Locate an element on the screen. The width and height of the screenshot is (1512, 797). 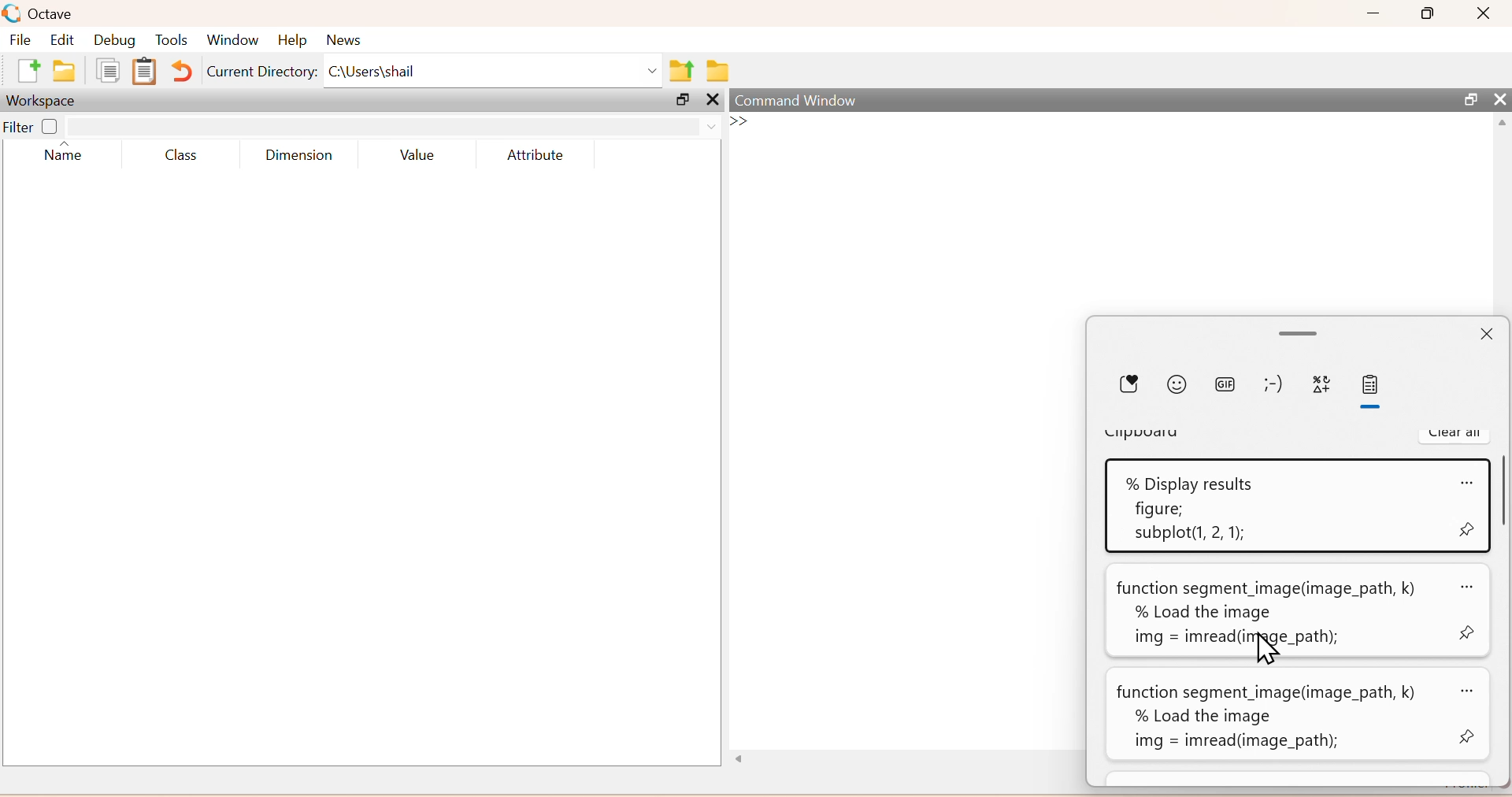
Dimension is located at coordinates (305, 155).